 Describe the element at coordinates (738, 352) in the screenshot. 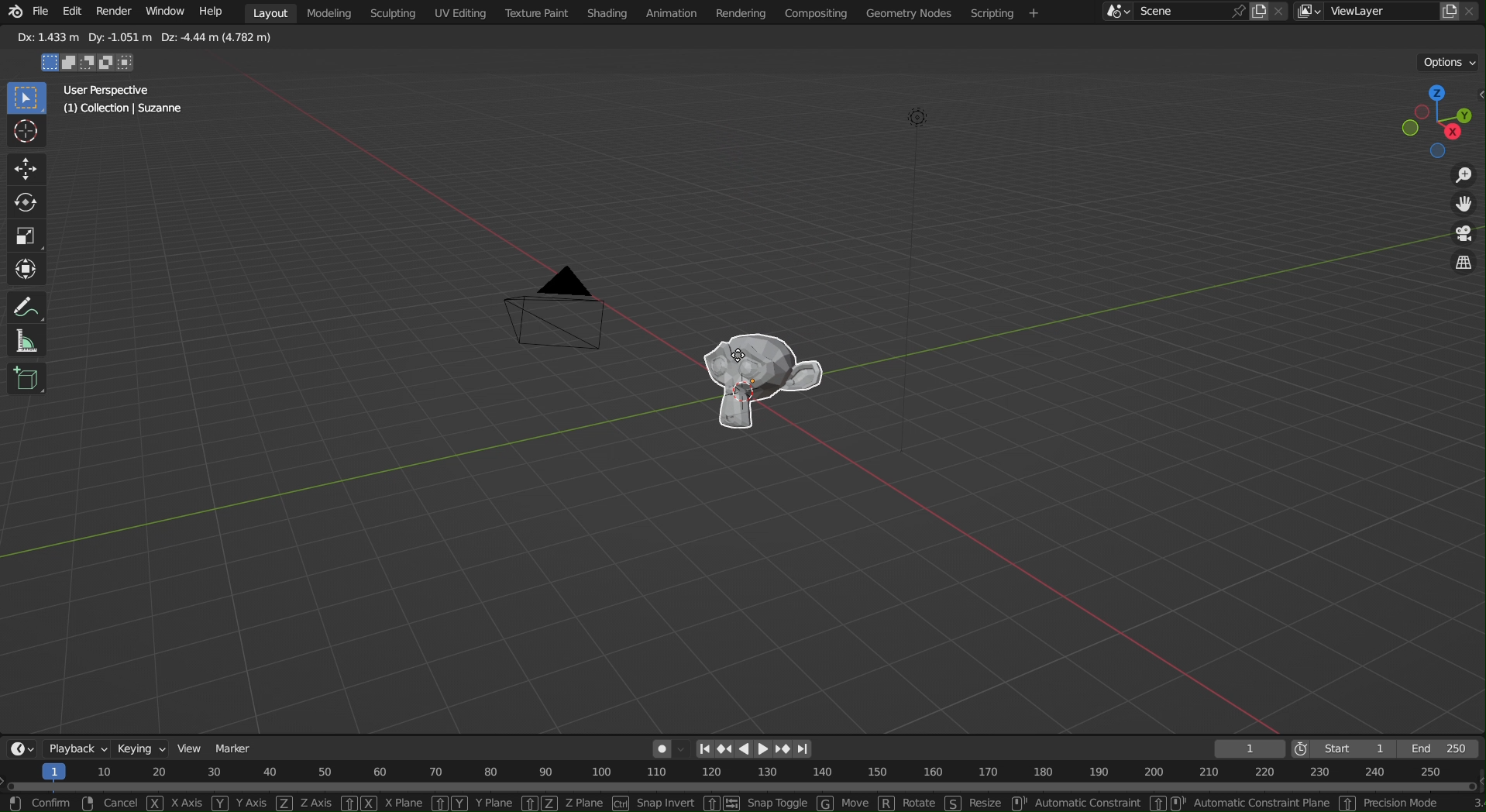

I see `cursor` at that location.